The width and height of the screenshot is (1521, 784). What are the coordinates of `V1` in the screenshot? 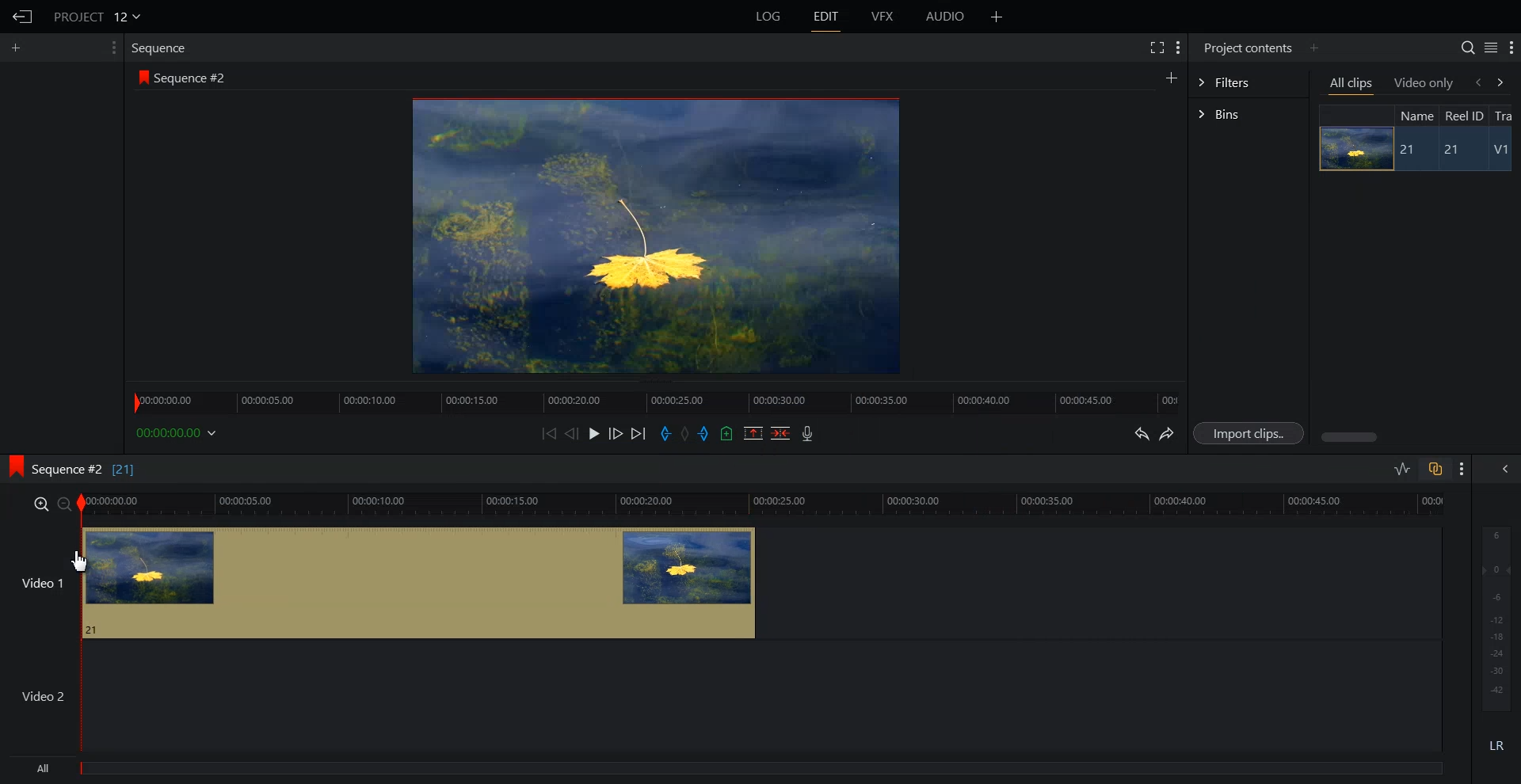 It's located at (1503, 151).